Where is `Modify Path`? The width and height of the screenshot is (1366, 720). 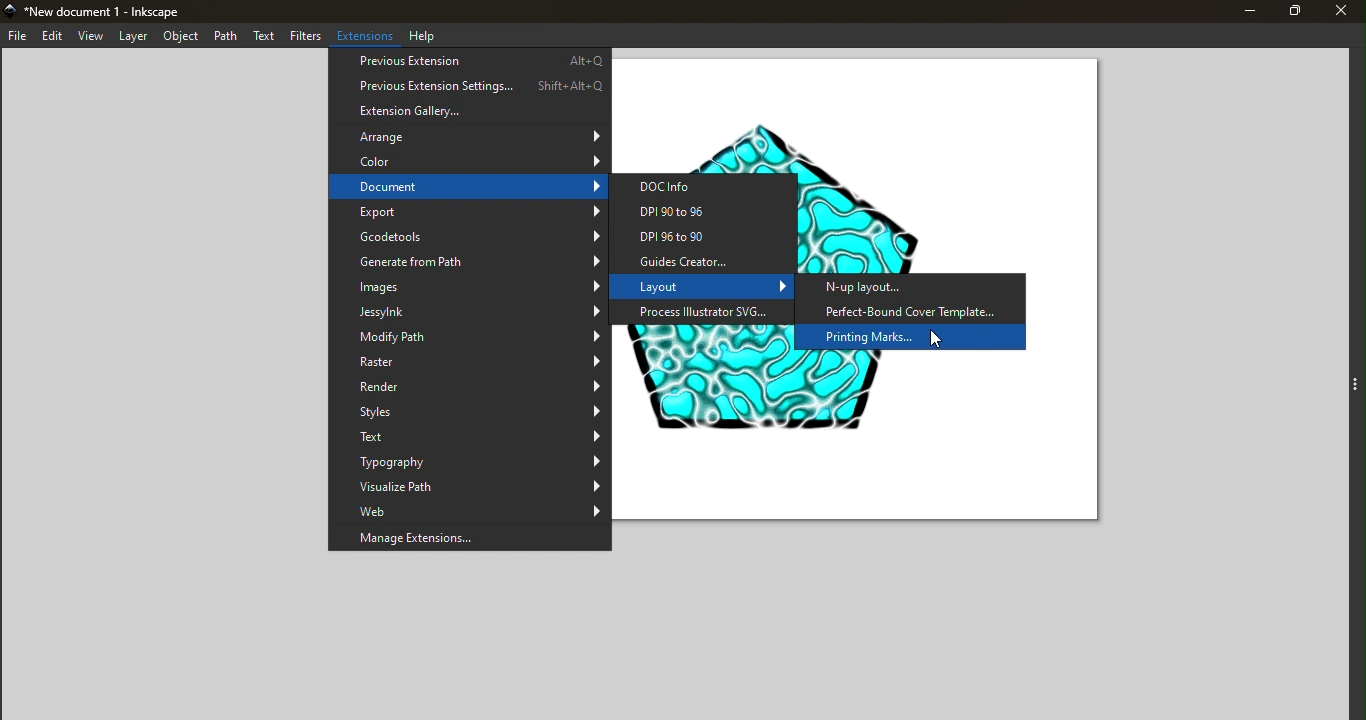
Modify Path is located at coordinates (471, 339).